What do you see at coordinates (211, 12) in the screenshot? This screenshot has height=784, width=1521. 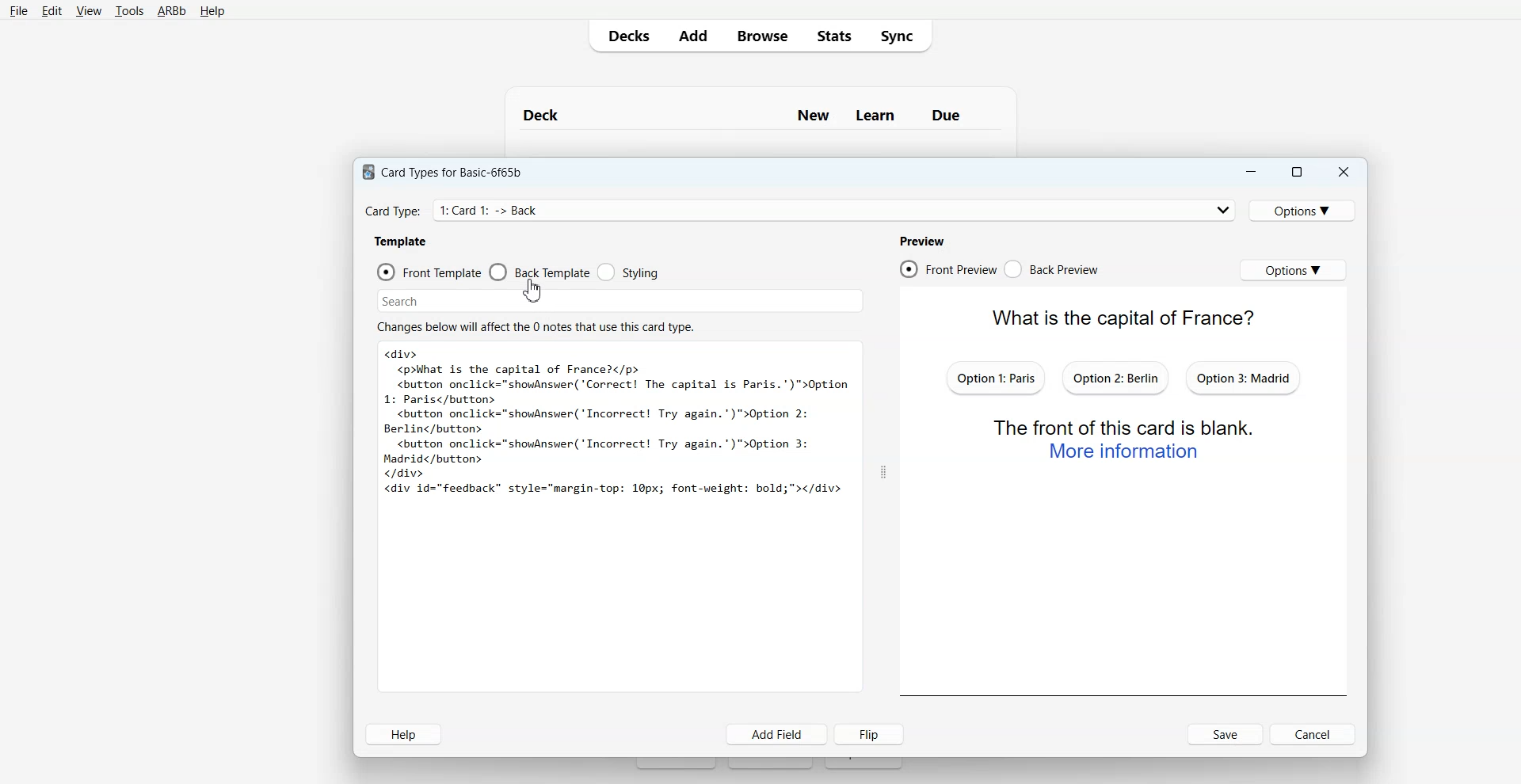 I see `Help` at bounding box center [211, 12].